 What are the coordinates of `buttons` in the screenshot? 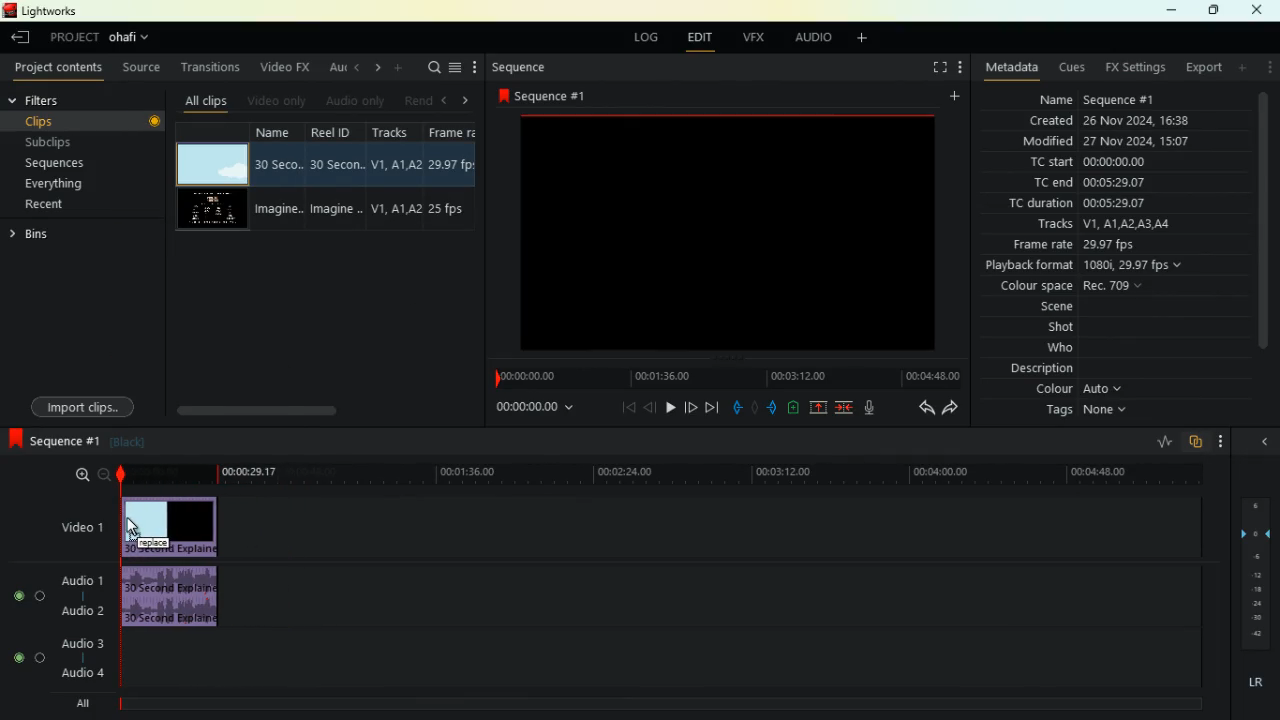 It's located at (18, 624).